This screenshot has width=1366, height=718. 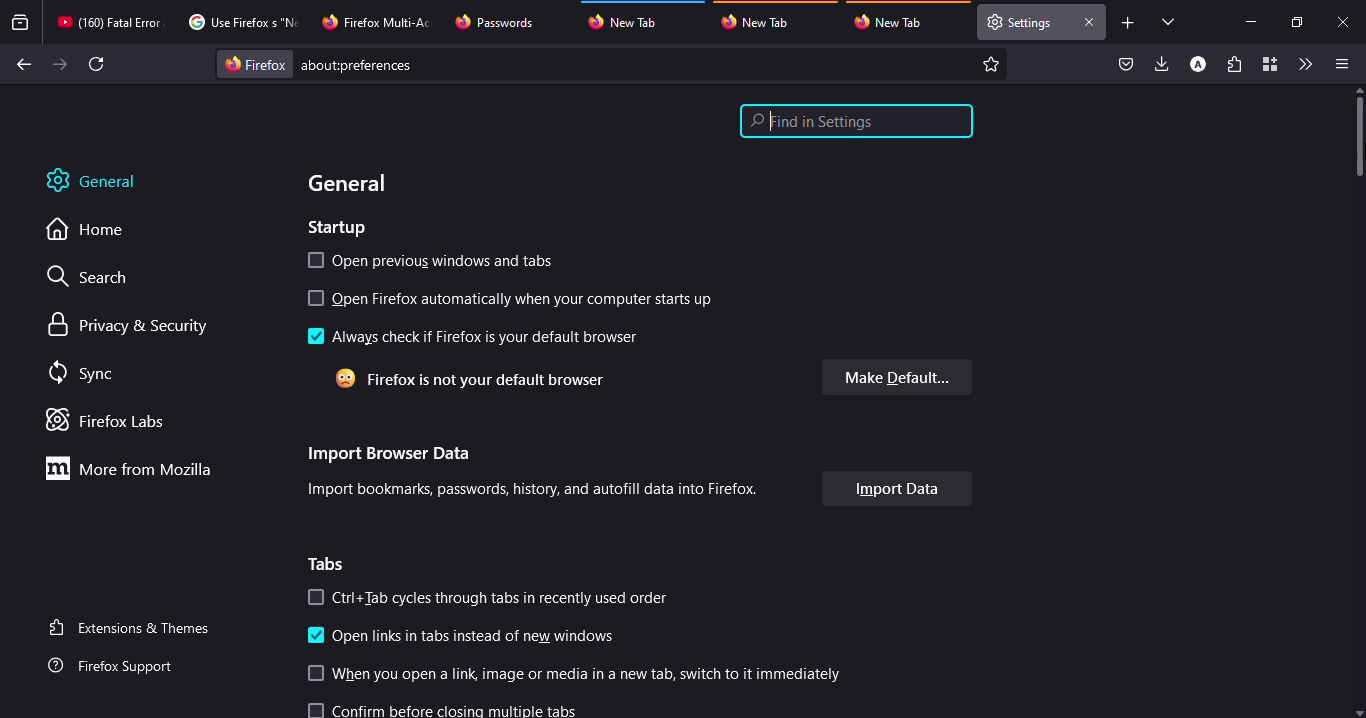 What do you see at coordinates (391, 454) in the screenshot?
I see `import browser data` at bounding box center [391, 454].